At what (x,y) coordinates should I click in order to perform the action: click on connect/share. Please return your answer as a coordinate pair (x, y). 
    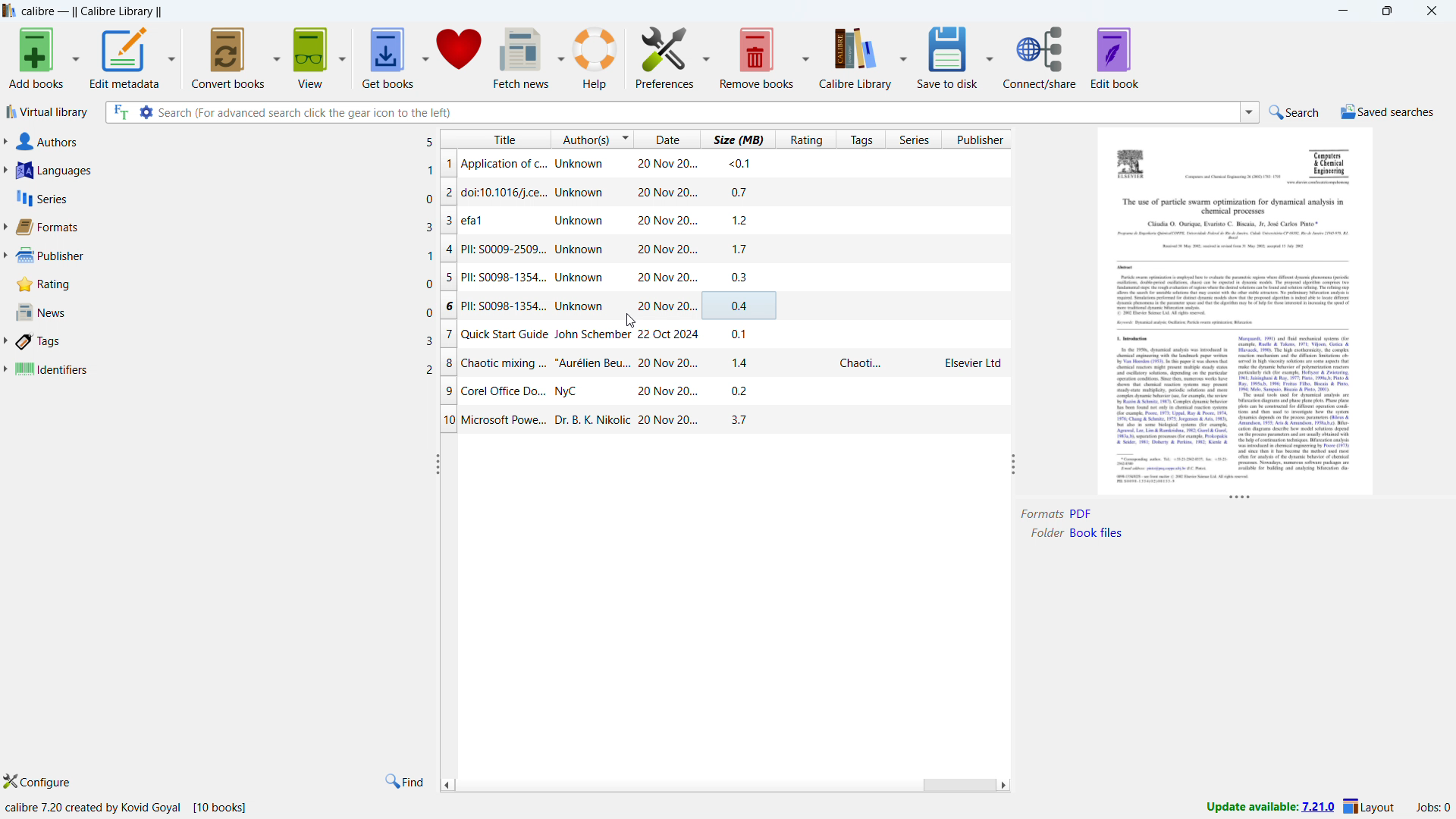
    Looking at the image, I should click on (1041, 57).